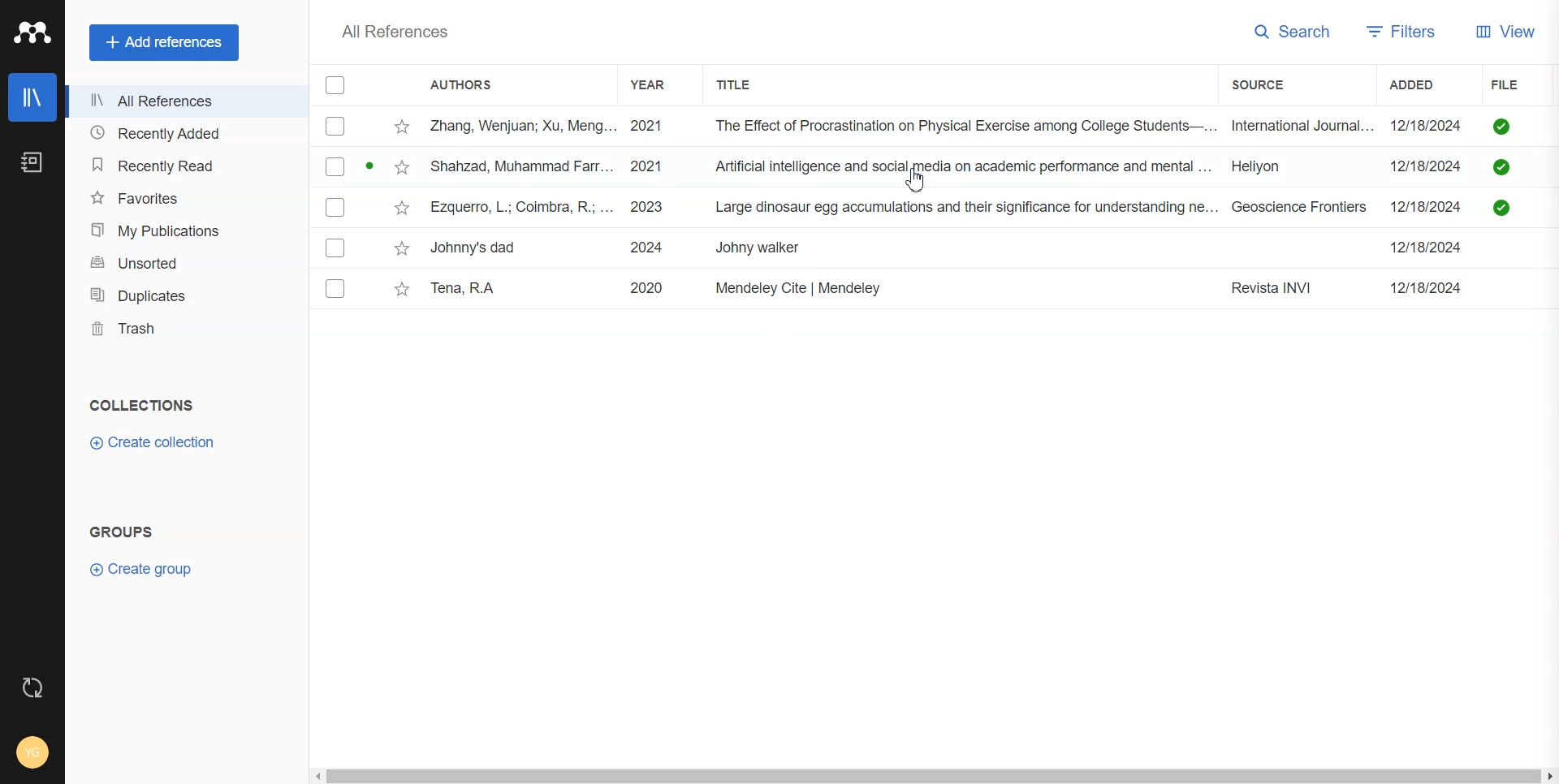  I want to click on Cursor, so click(918, 183).